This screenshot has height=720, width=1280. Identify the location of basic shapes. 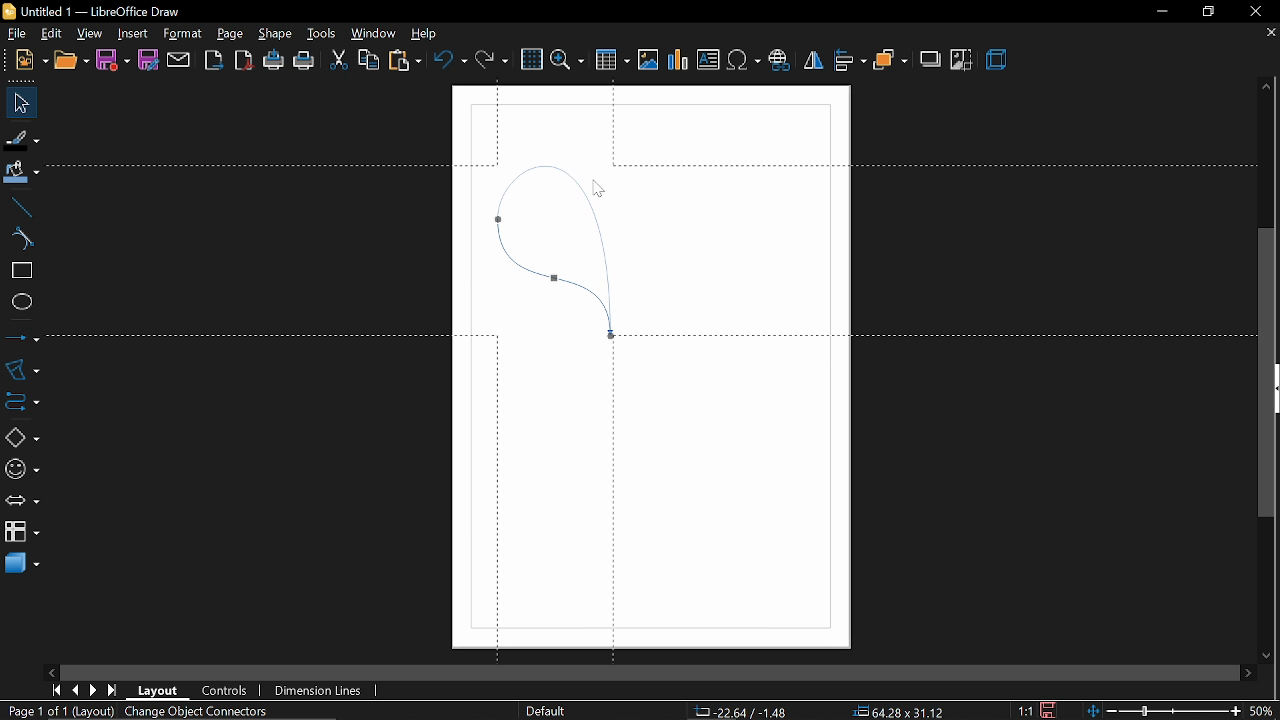
(18, 434).